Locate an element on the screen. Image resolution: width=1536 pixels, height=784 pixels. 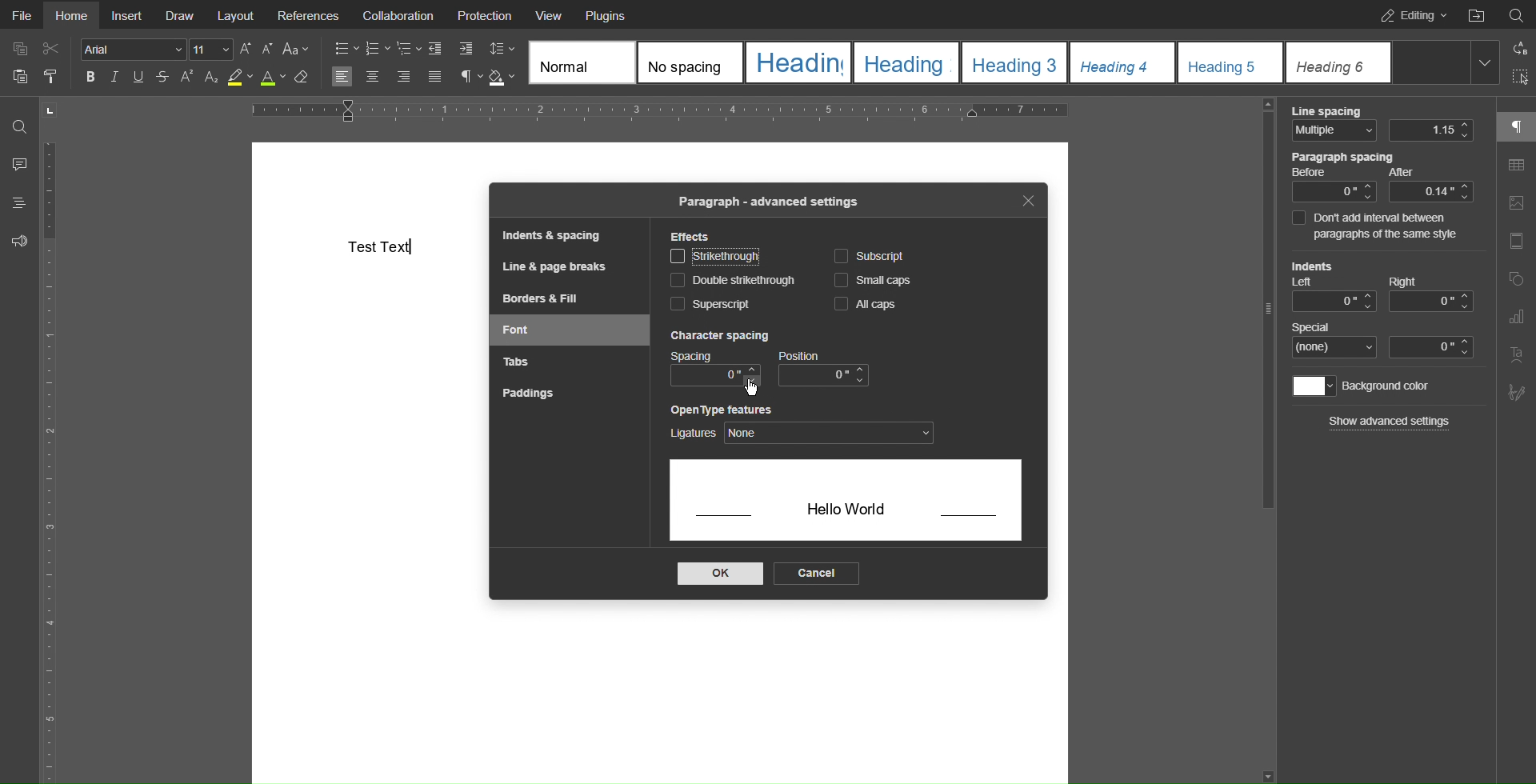
Don't add interval between paragraphs of the same style is located at coordinates (1382, 226).